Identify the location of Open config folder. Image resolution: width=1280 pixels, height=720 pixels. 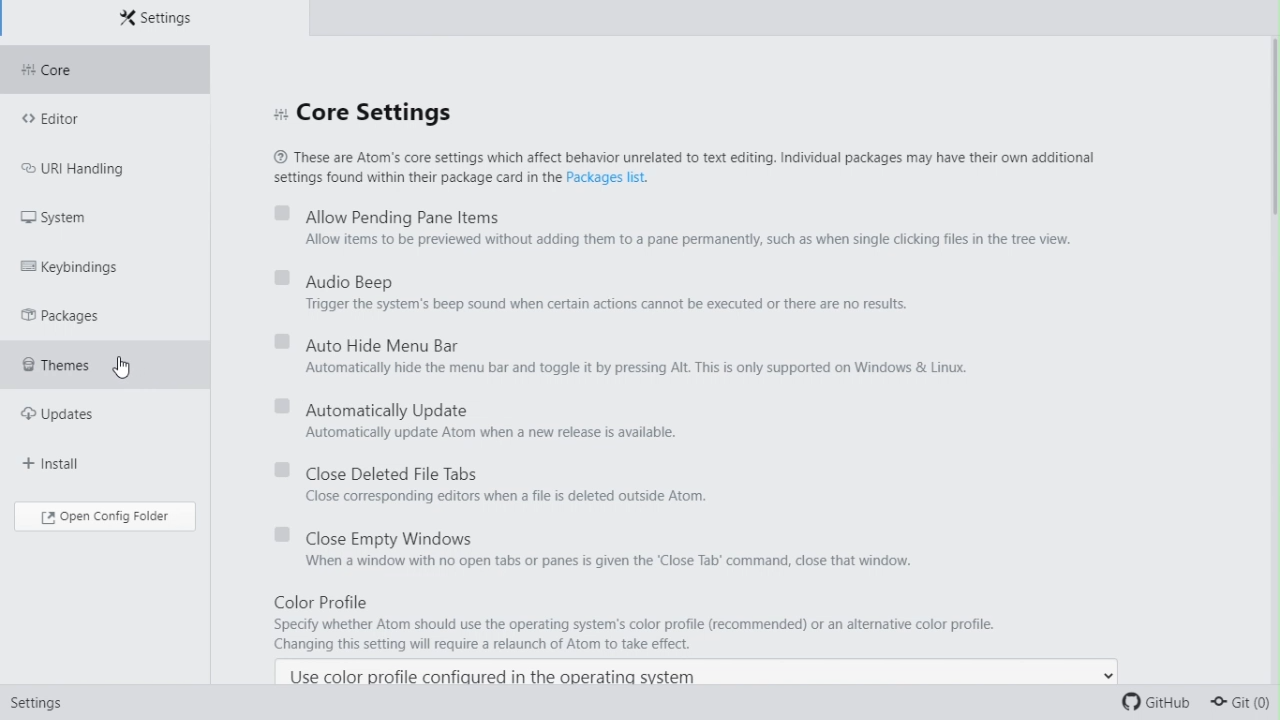
(107, 519).